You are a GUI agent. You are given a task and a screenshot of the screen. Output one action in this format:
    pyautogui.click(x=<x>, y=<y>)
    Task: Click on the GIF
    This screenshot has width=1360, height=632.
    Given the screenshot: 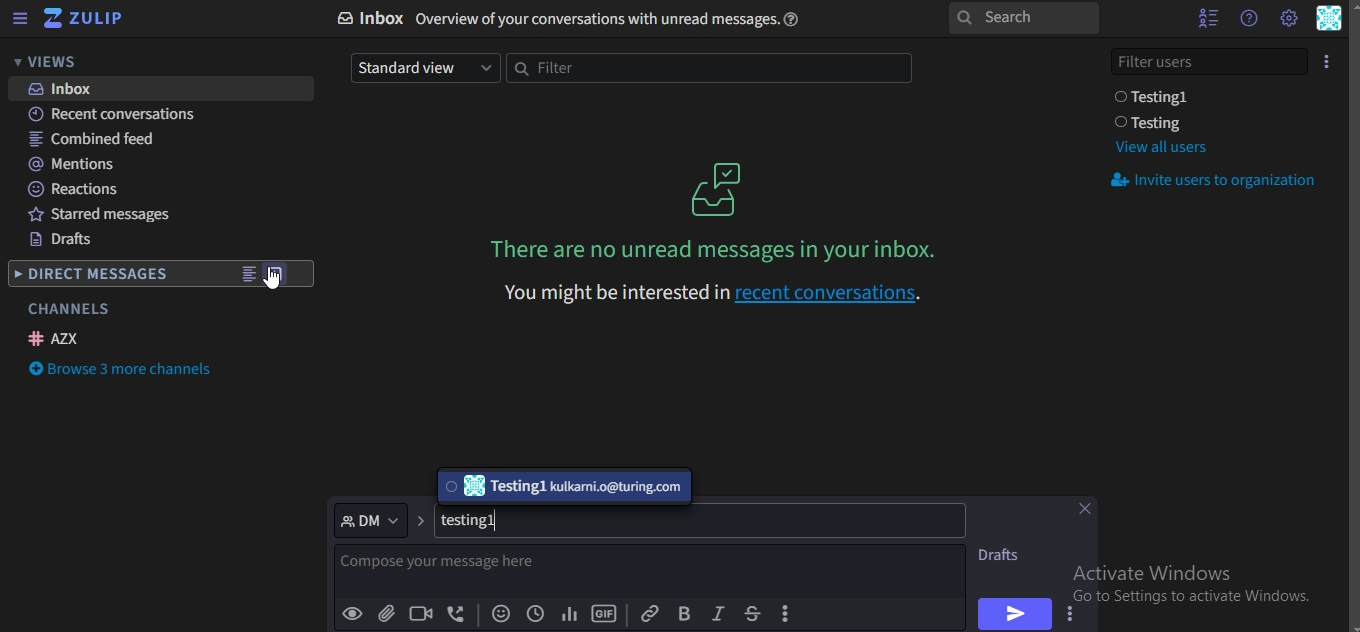 What is the action you would take?
    pyautogui.click(x=604, y=614)
    